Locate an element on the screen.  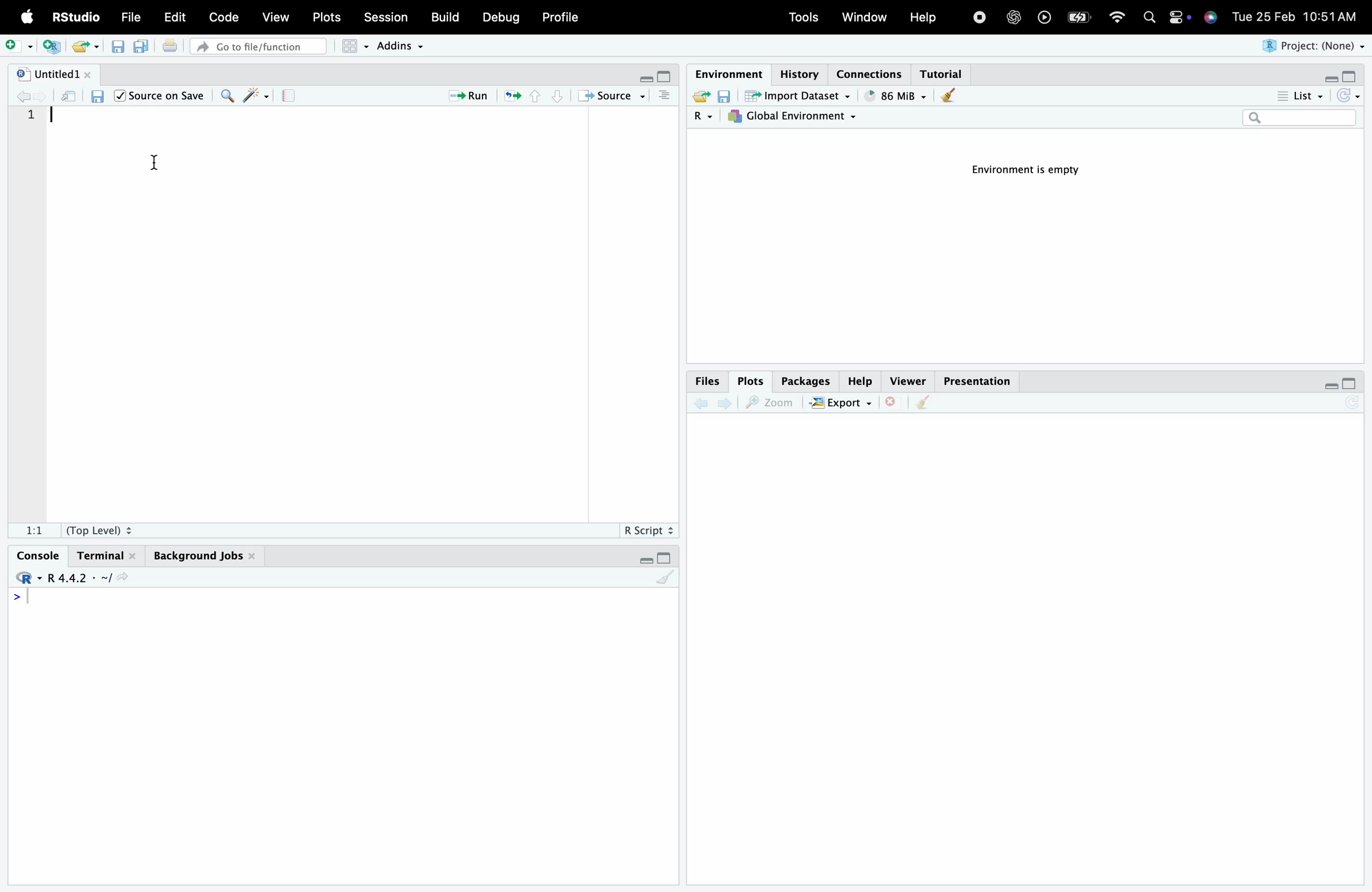
EXPORT is located at coordinates (842, 403).